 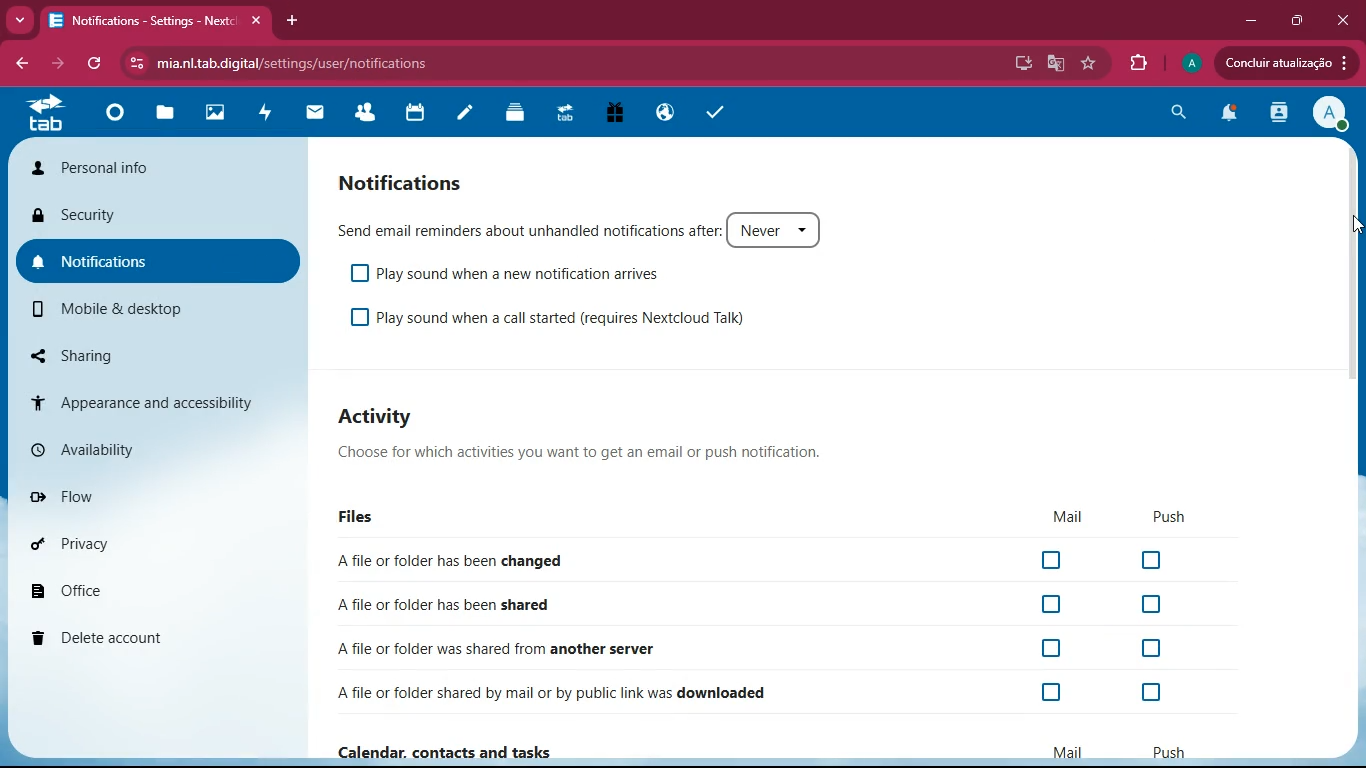 I want to click on close, so click(x=1343, y=20).